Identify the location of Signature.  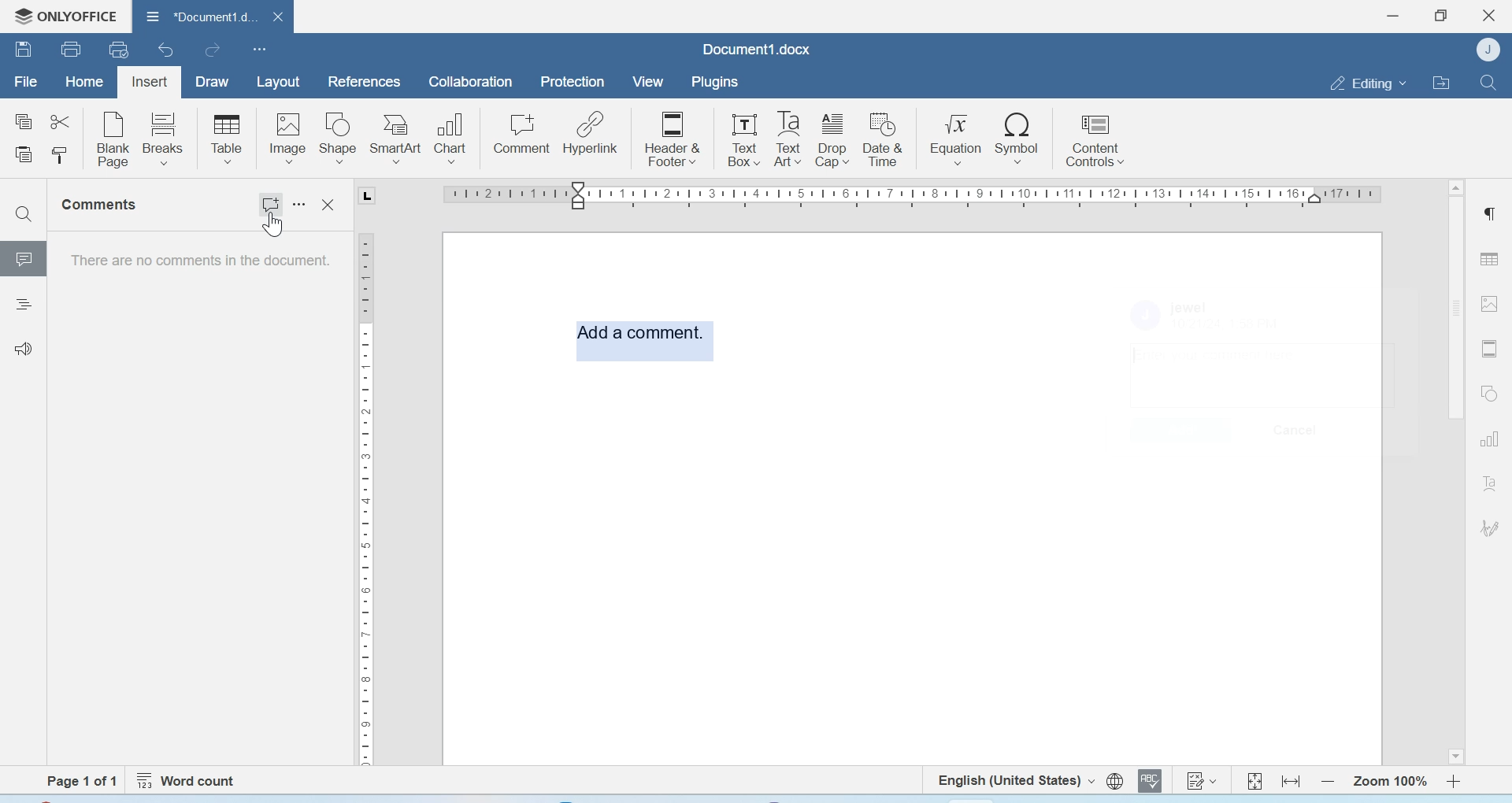
(1491, 528).